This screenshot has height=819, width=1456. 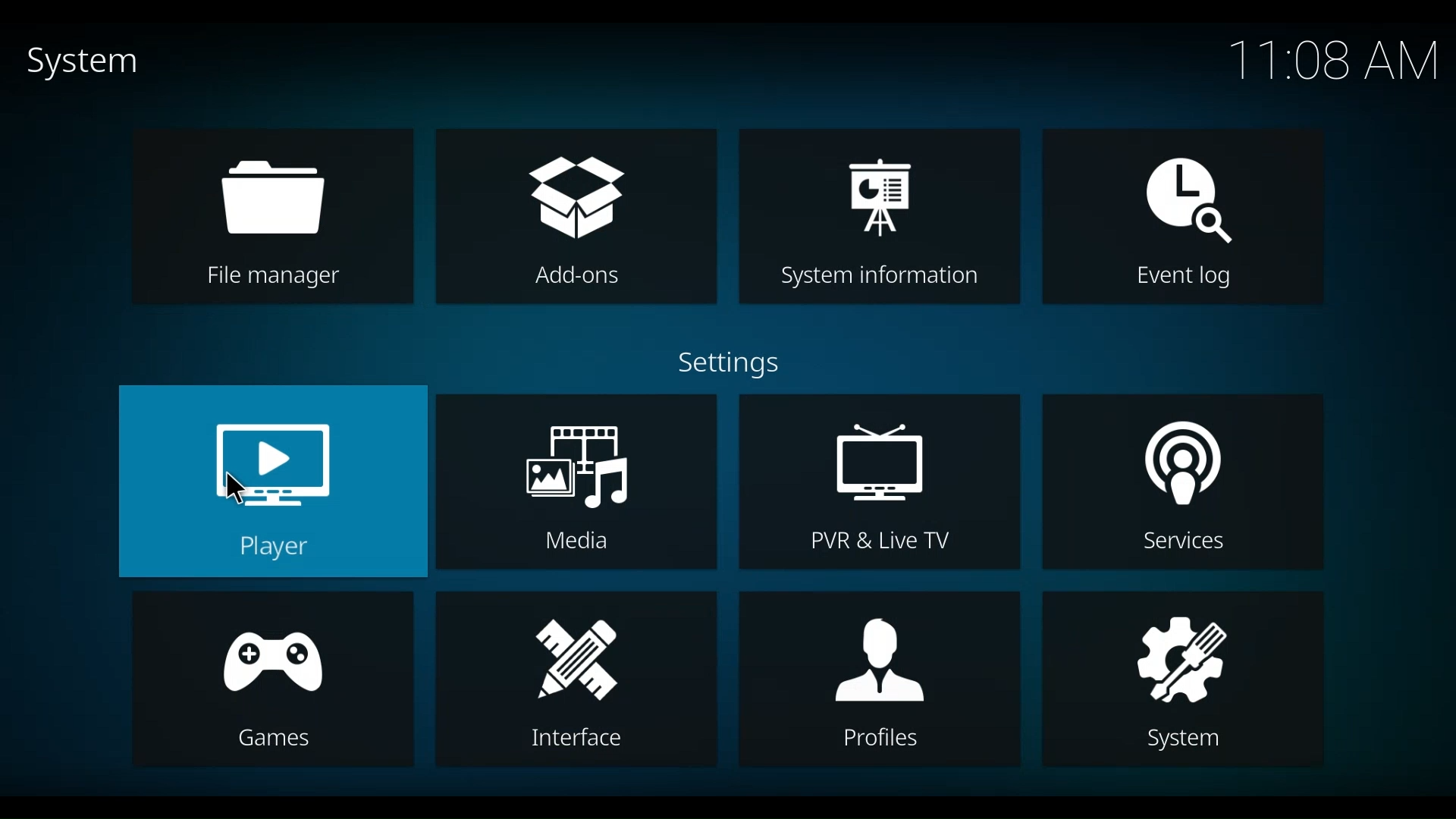 I want to click on System, so click(x=1184, y=679).